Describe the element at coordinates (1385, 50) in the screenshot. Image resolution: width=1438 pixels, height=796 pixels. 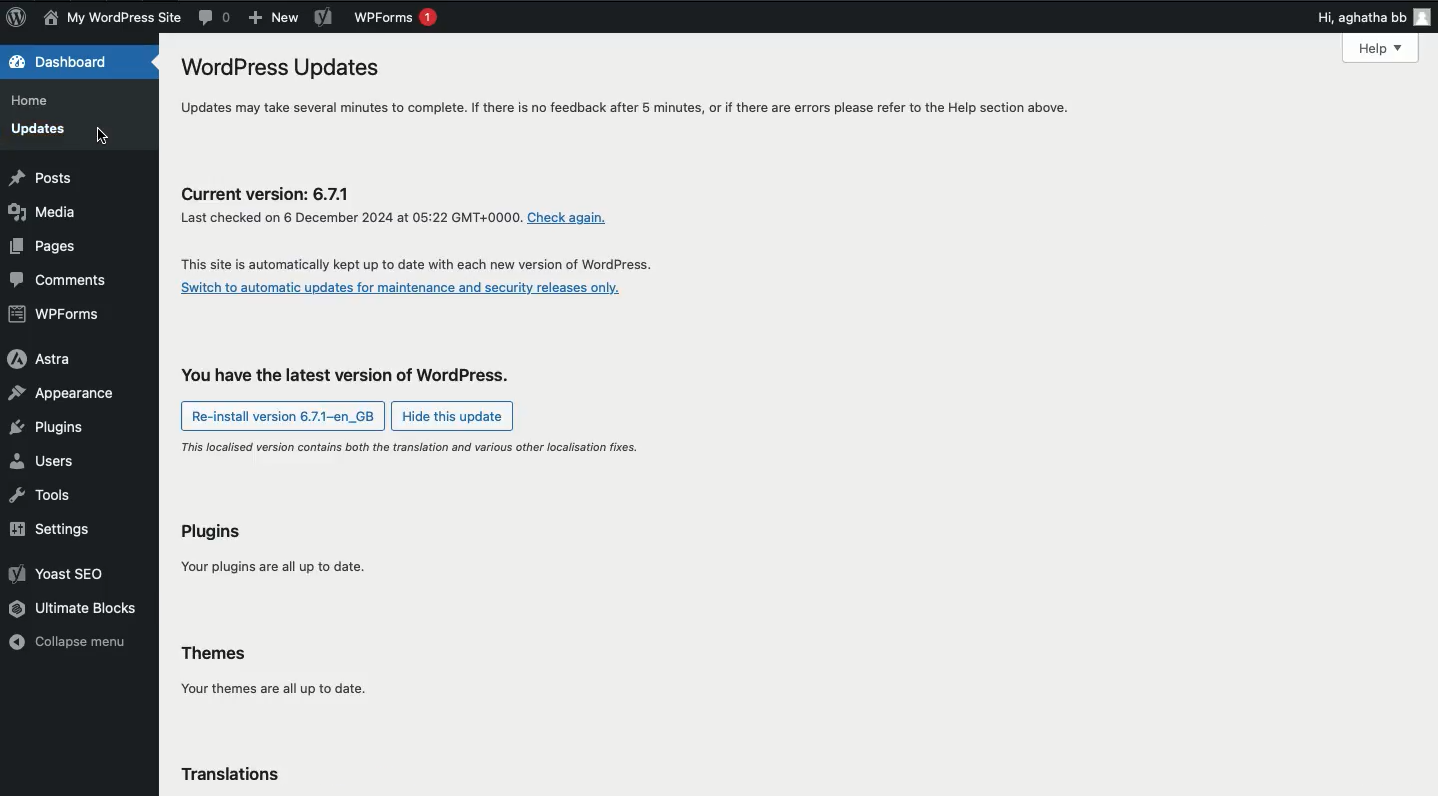
I see `Help` at that location.